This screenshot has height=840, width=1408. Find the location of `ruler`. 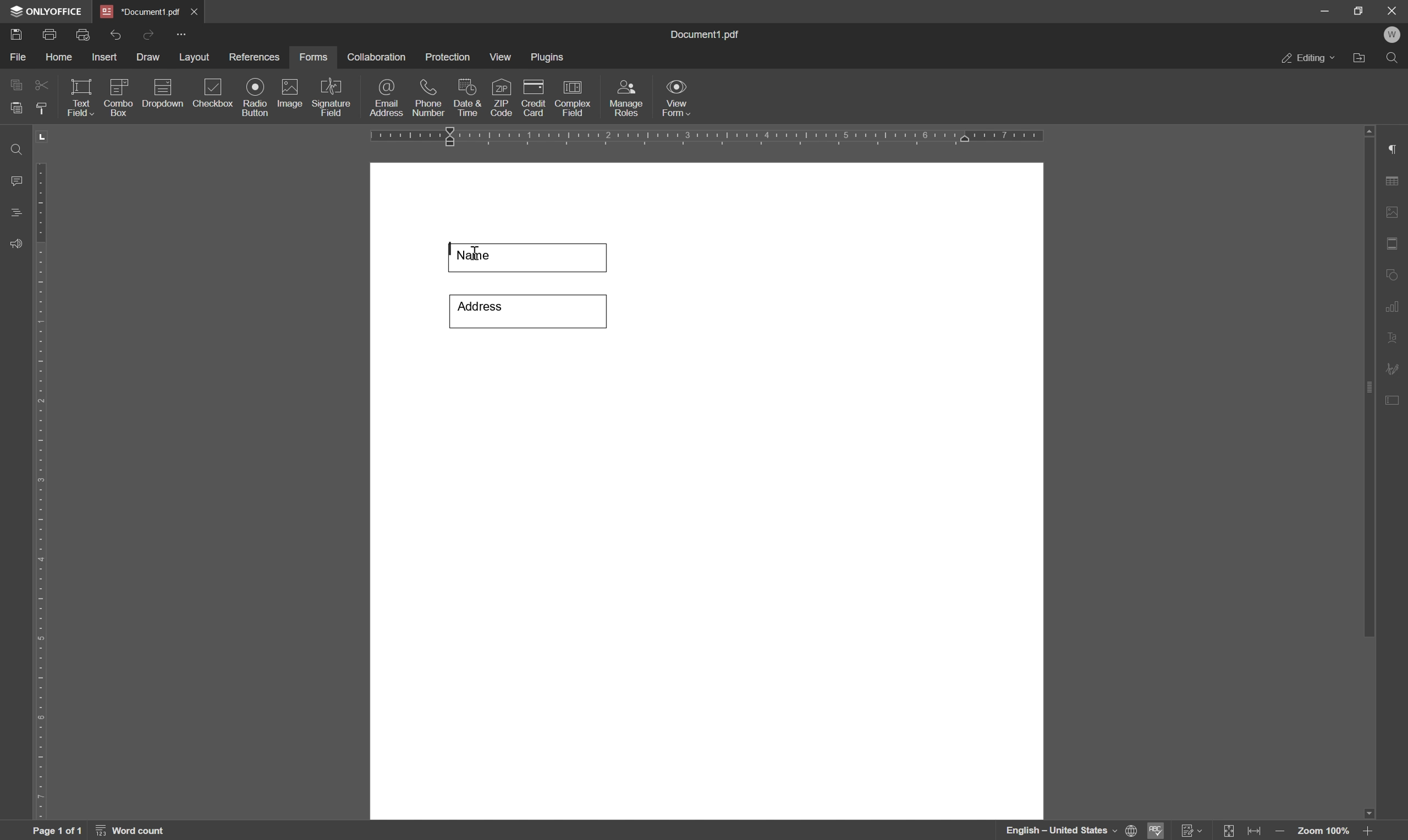

ruler is located at coordinates (40, 488).